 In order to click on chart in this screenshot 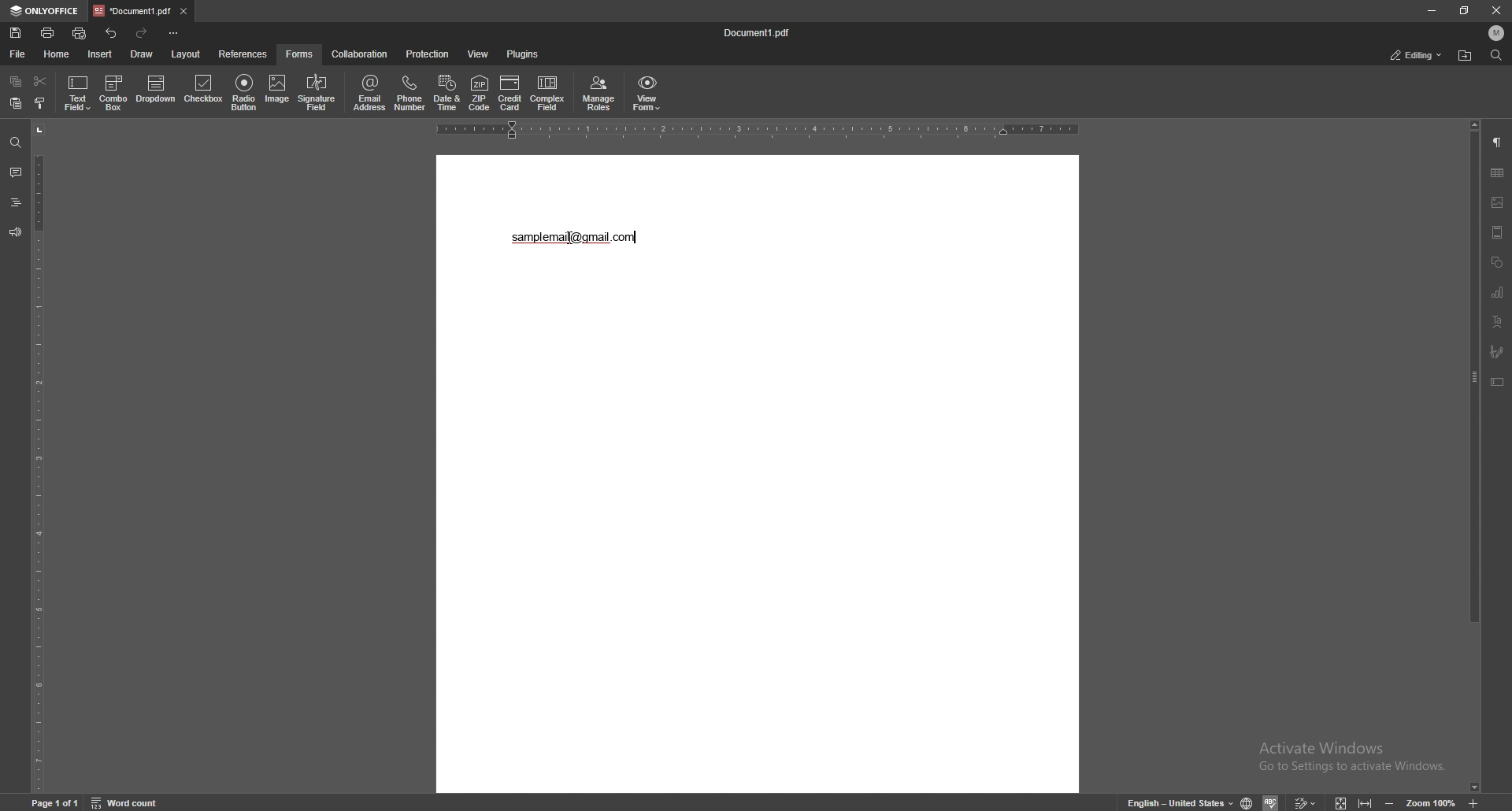, I will do `click(1499, 293)`.